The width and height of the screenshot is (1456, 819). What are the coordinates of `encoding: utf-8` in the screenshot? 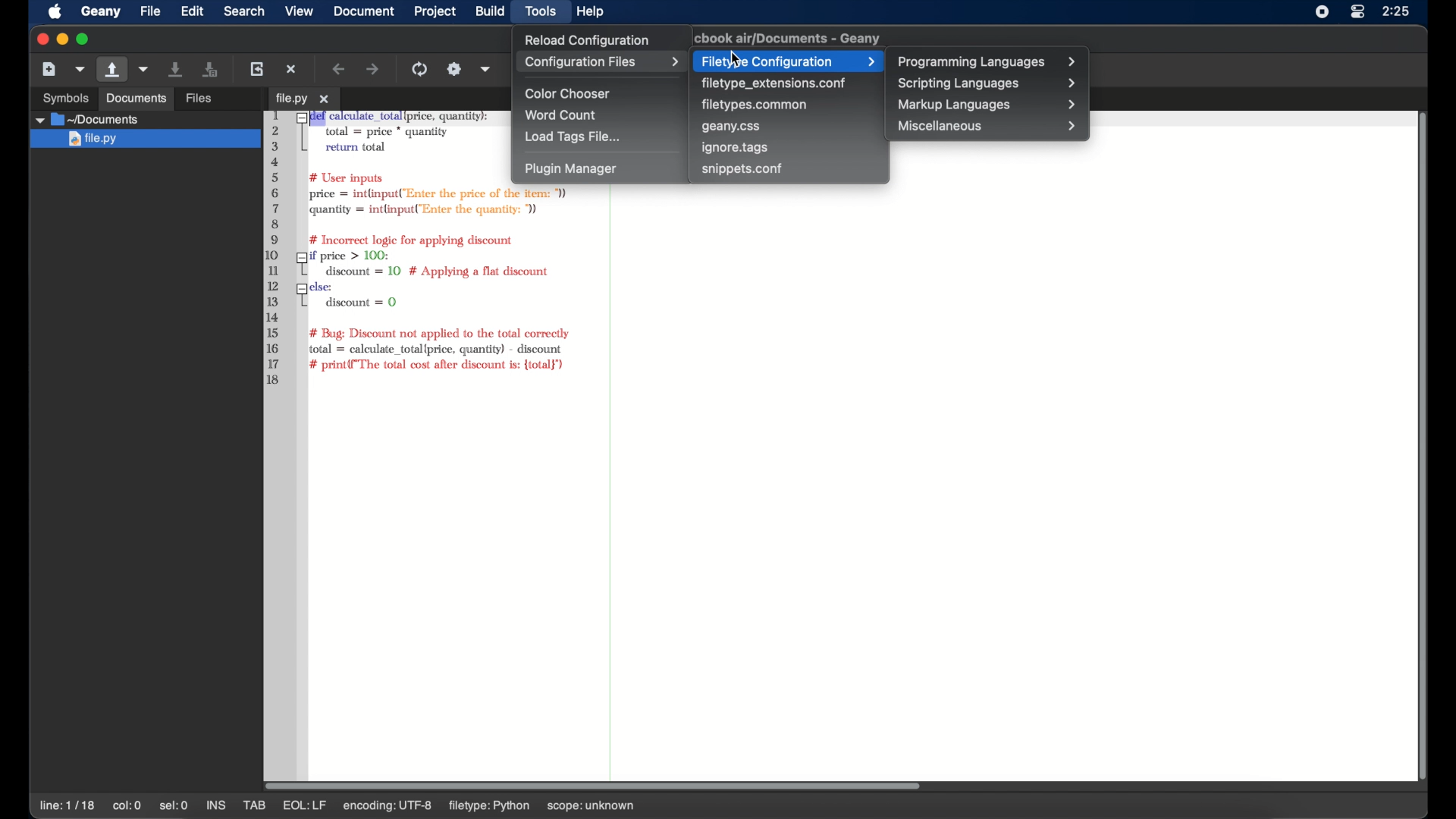 It's located at (433, 805).